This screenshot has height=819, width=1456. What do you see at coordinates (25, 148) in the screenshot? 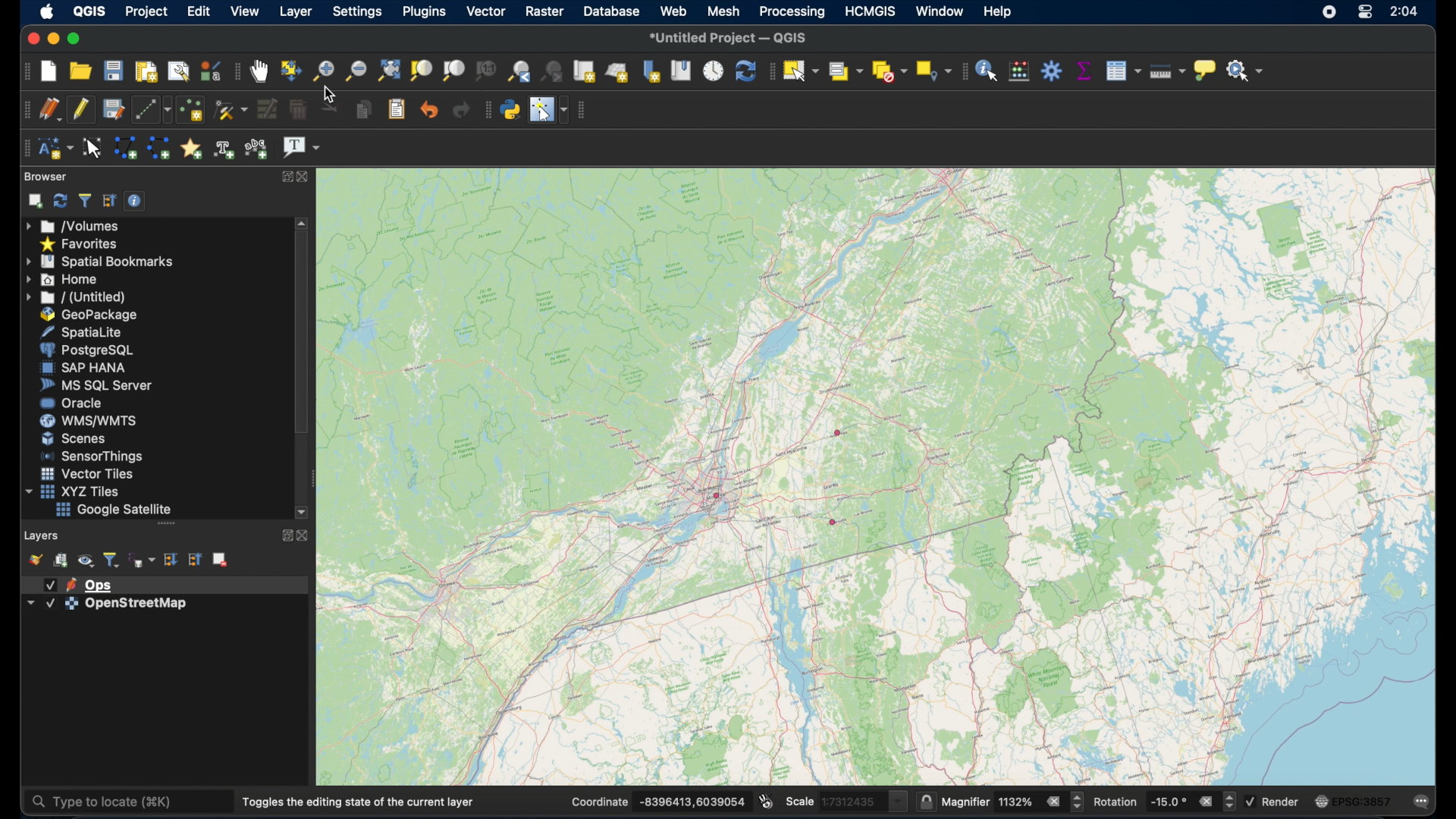
I see `annotations toolbar` at bounding box center [25, 148].